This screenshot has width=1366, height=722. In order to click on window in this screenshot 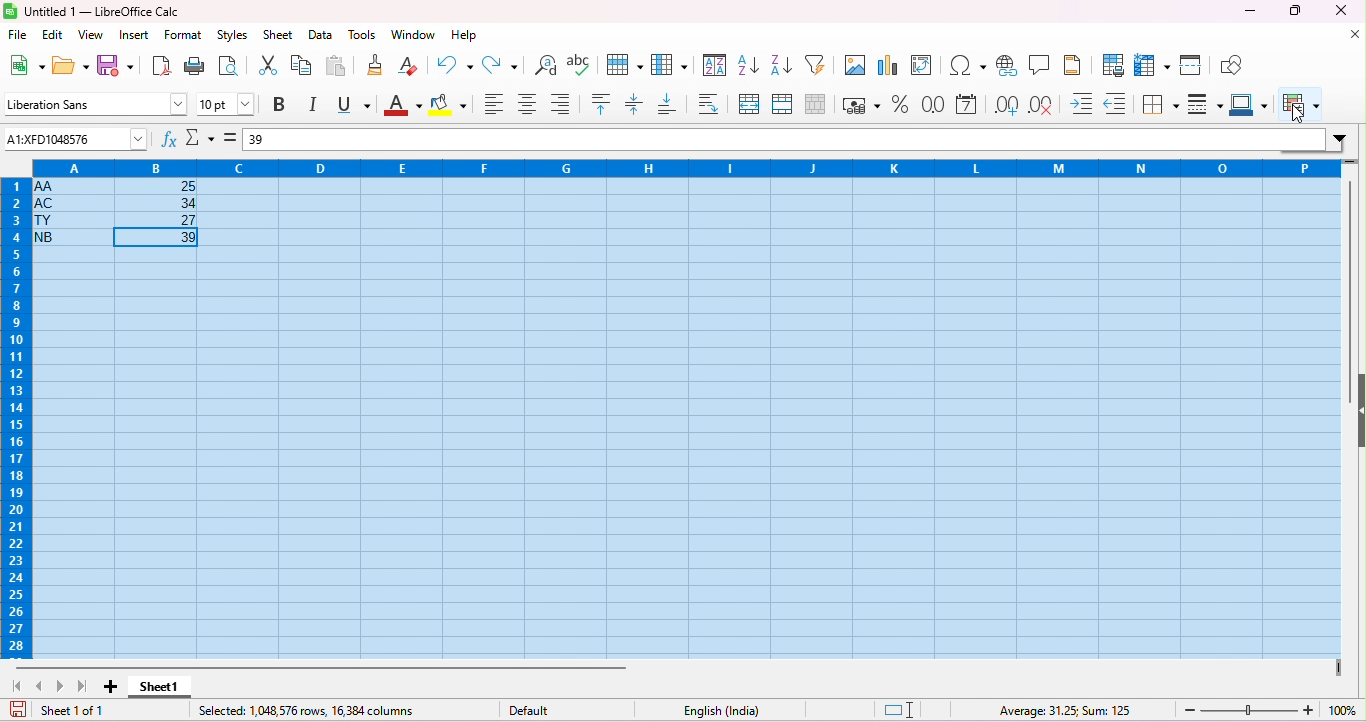, I will do `click(414, 35)`.